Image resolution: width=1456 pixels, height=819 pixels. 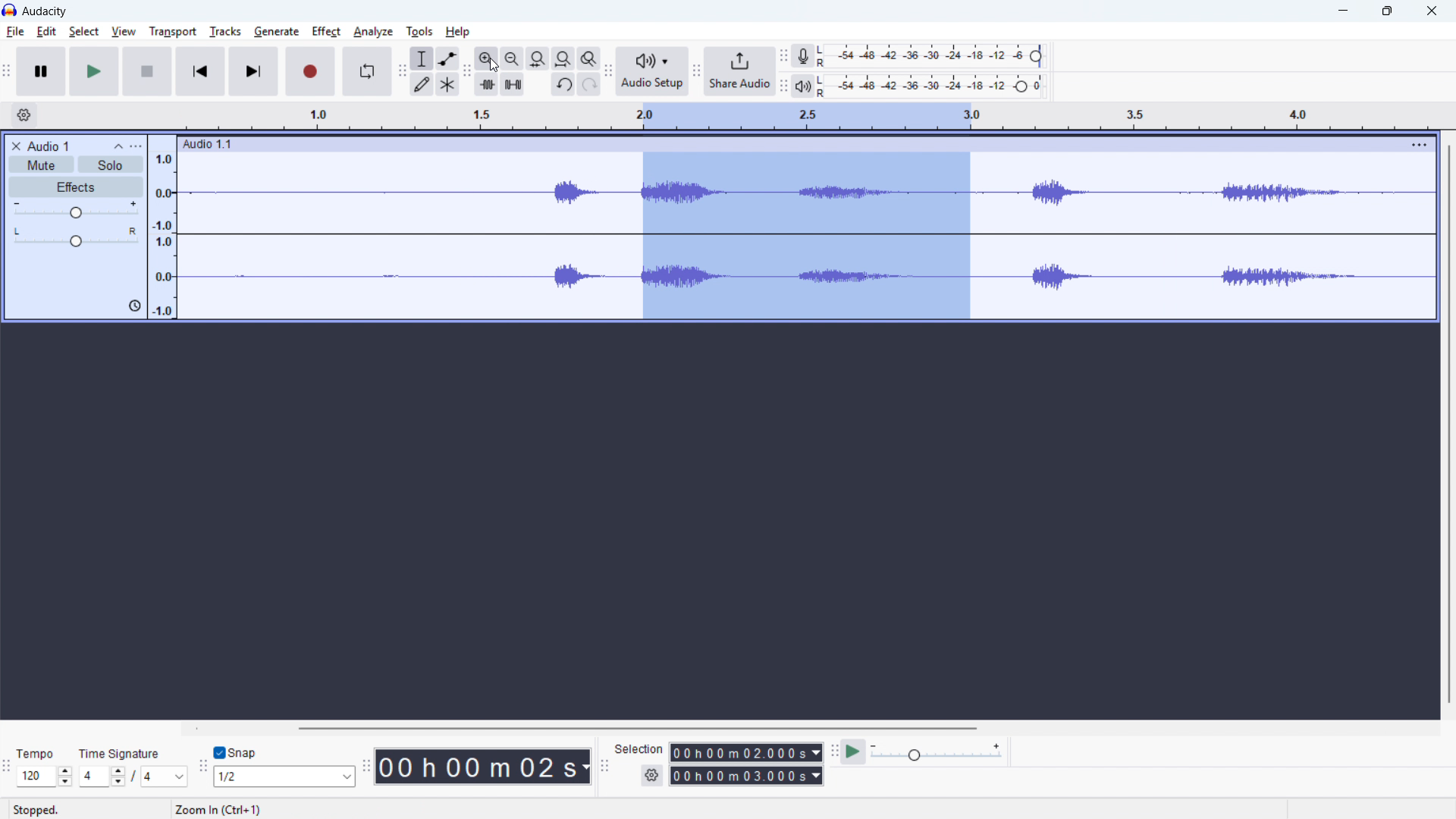 I want to click on Undo, so click(x=563, y=84).